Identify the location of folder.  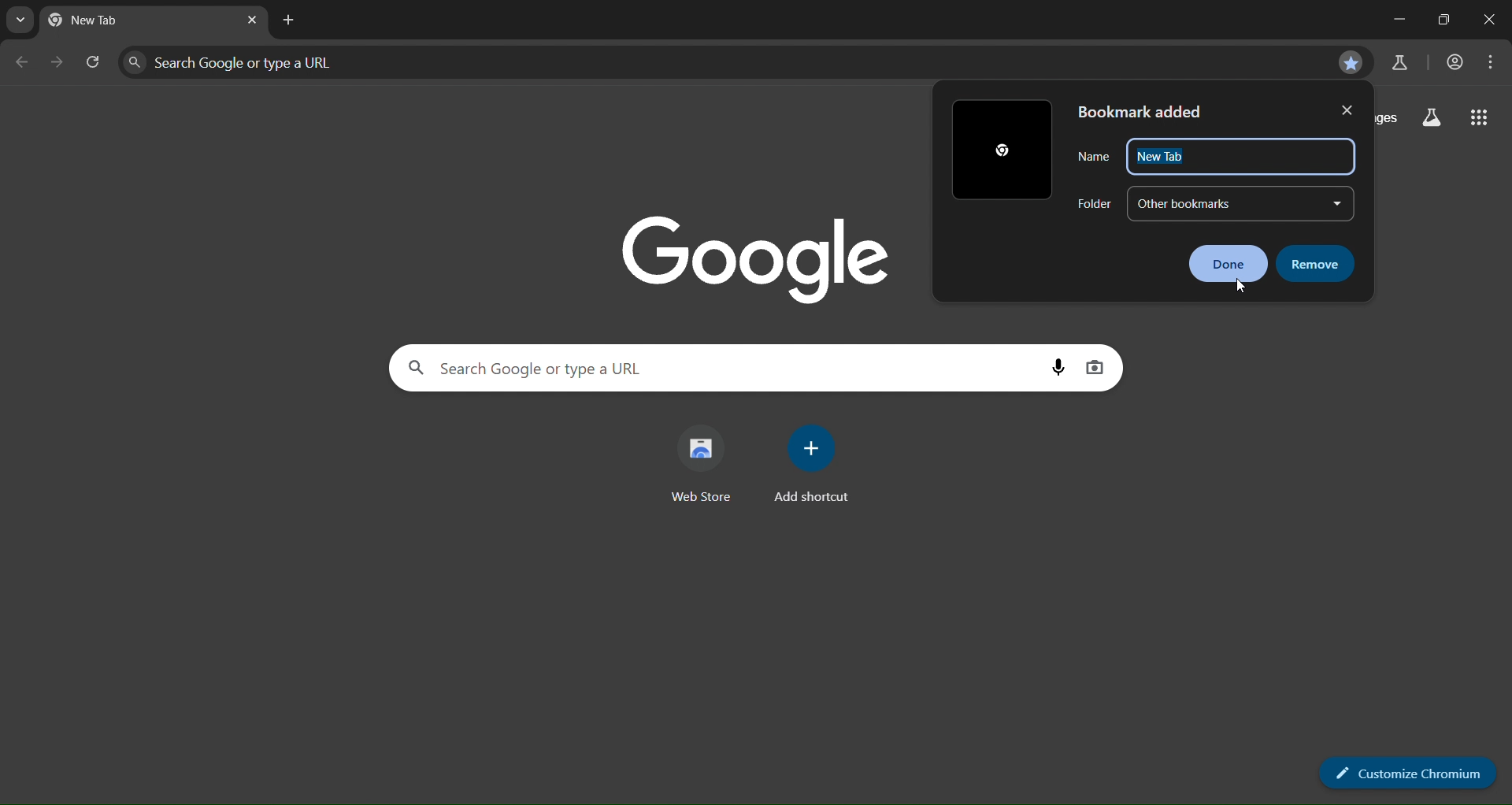
(1095, 203).